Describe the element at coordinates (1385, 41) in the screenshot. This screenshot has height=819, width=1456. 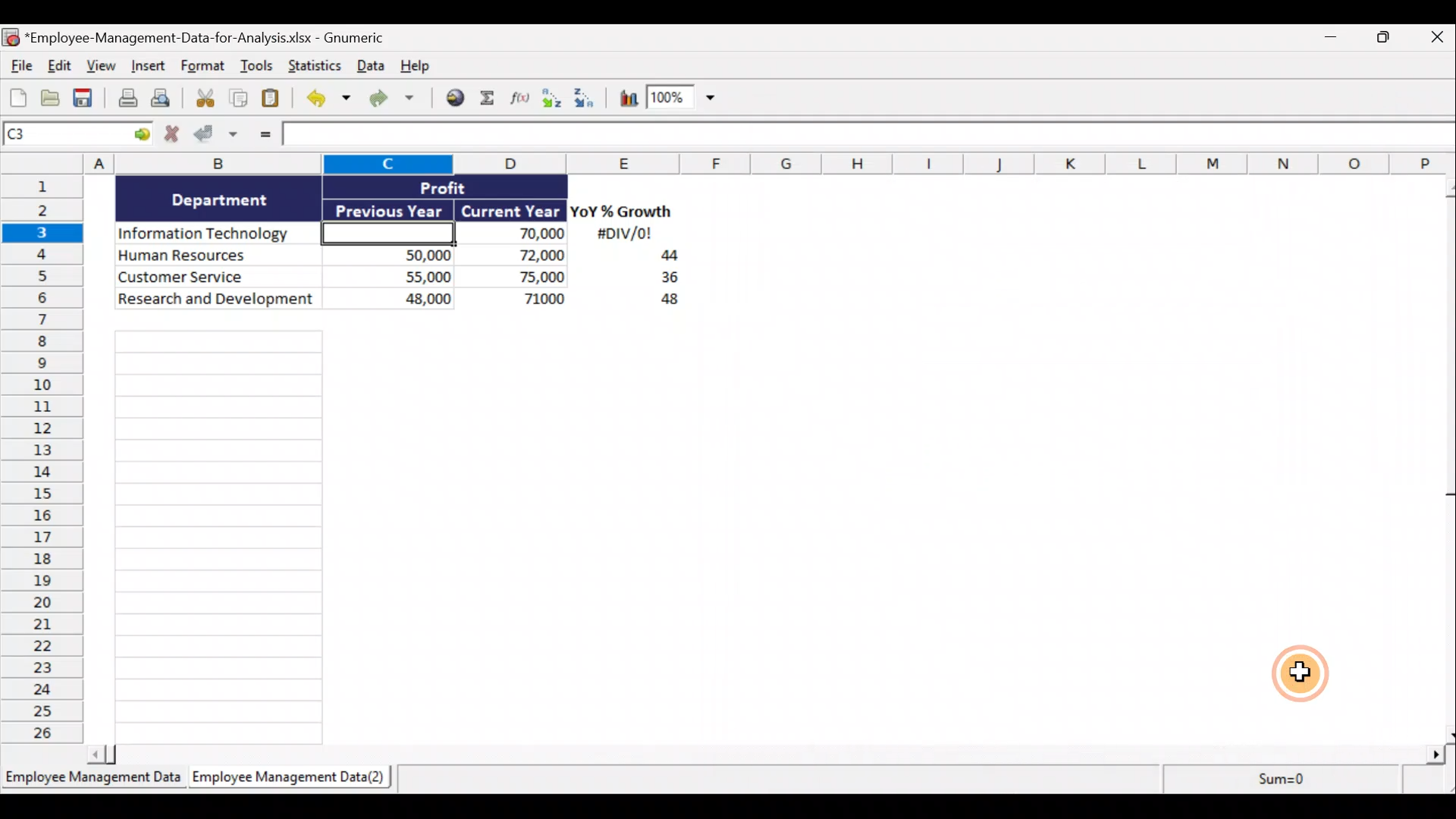
I see `Restore down` at that location.